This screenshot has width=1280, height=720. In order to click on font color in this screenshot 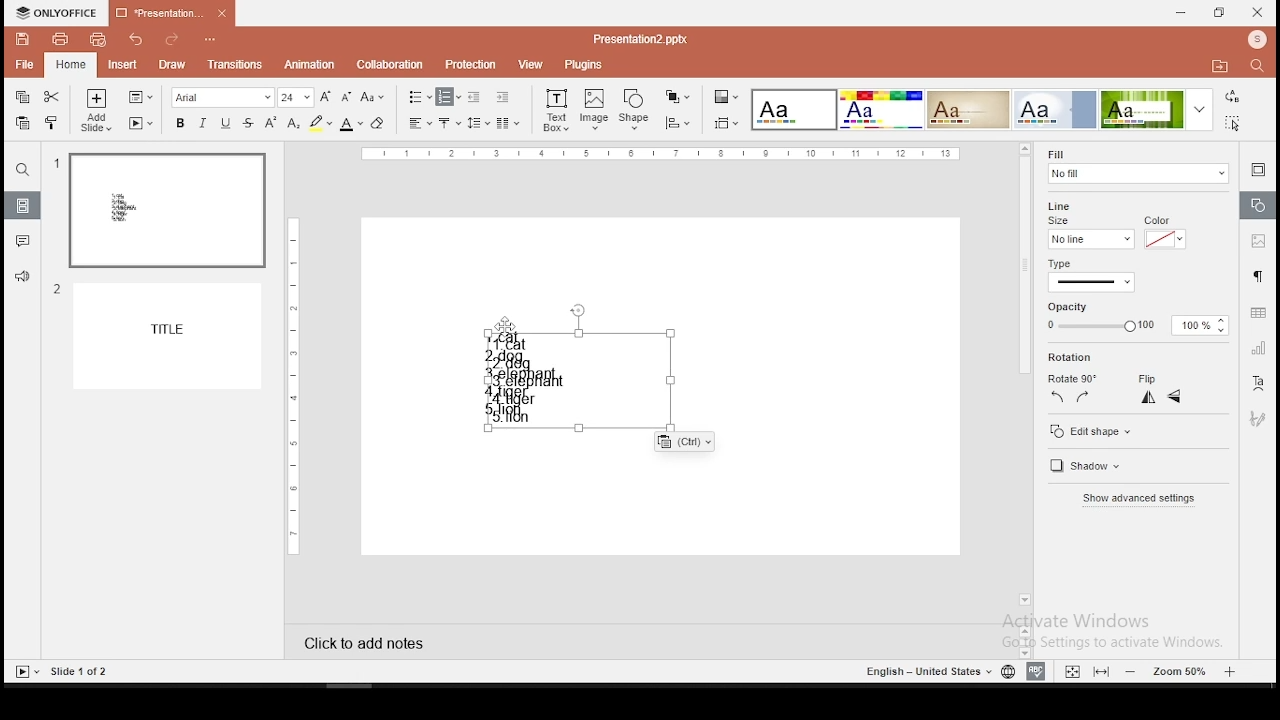, I will do `click(351, 123)`.